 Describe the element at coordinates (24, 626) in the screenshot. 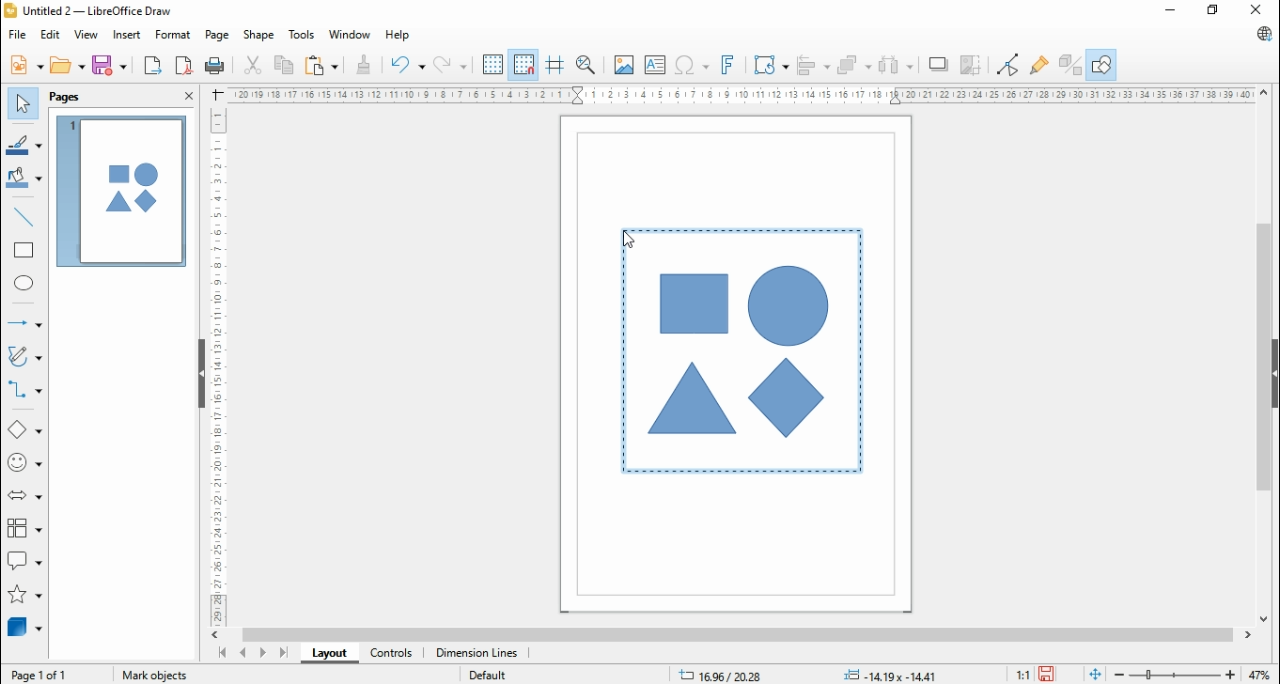

I see `3D objects` at that location.